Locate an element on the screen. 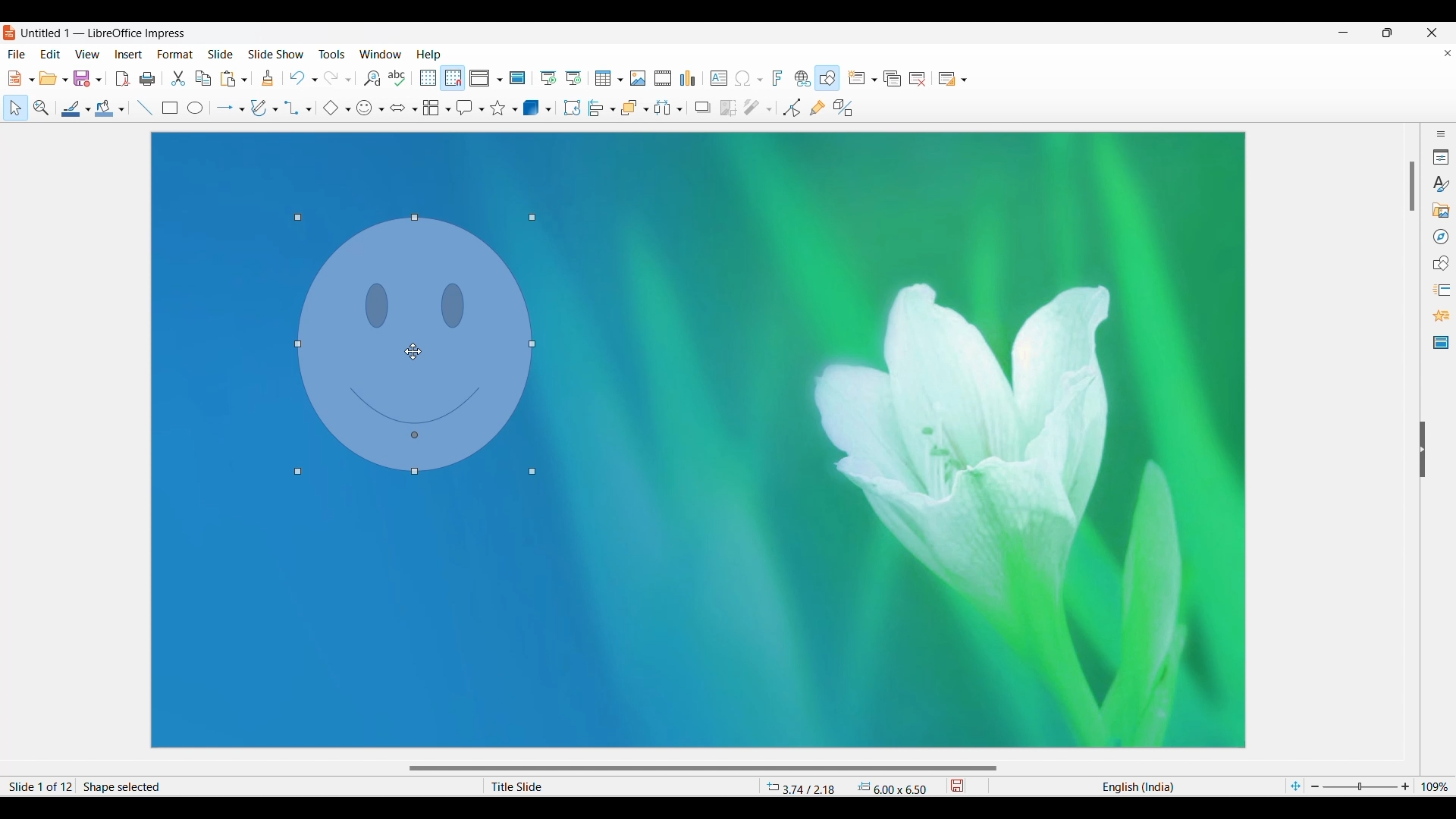 The image size is (1456, 819). Insert audio or video is located at coordinates (664, 78).